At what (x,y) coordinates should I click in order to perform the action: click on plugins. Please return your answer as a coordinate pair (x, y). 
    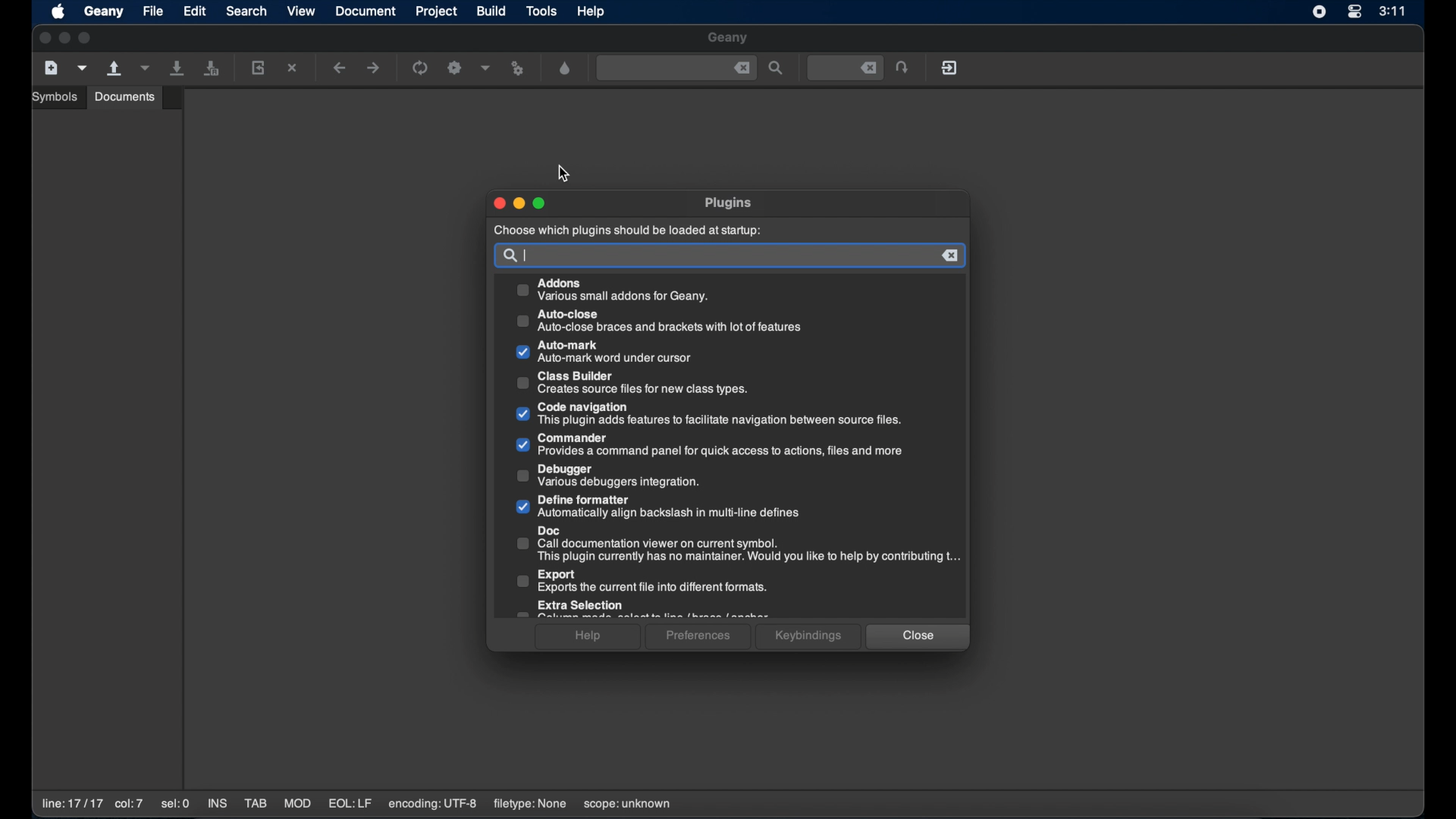
    Looking at the image, I should click on (730, 202).